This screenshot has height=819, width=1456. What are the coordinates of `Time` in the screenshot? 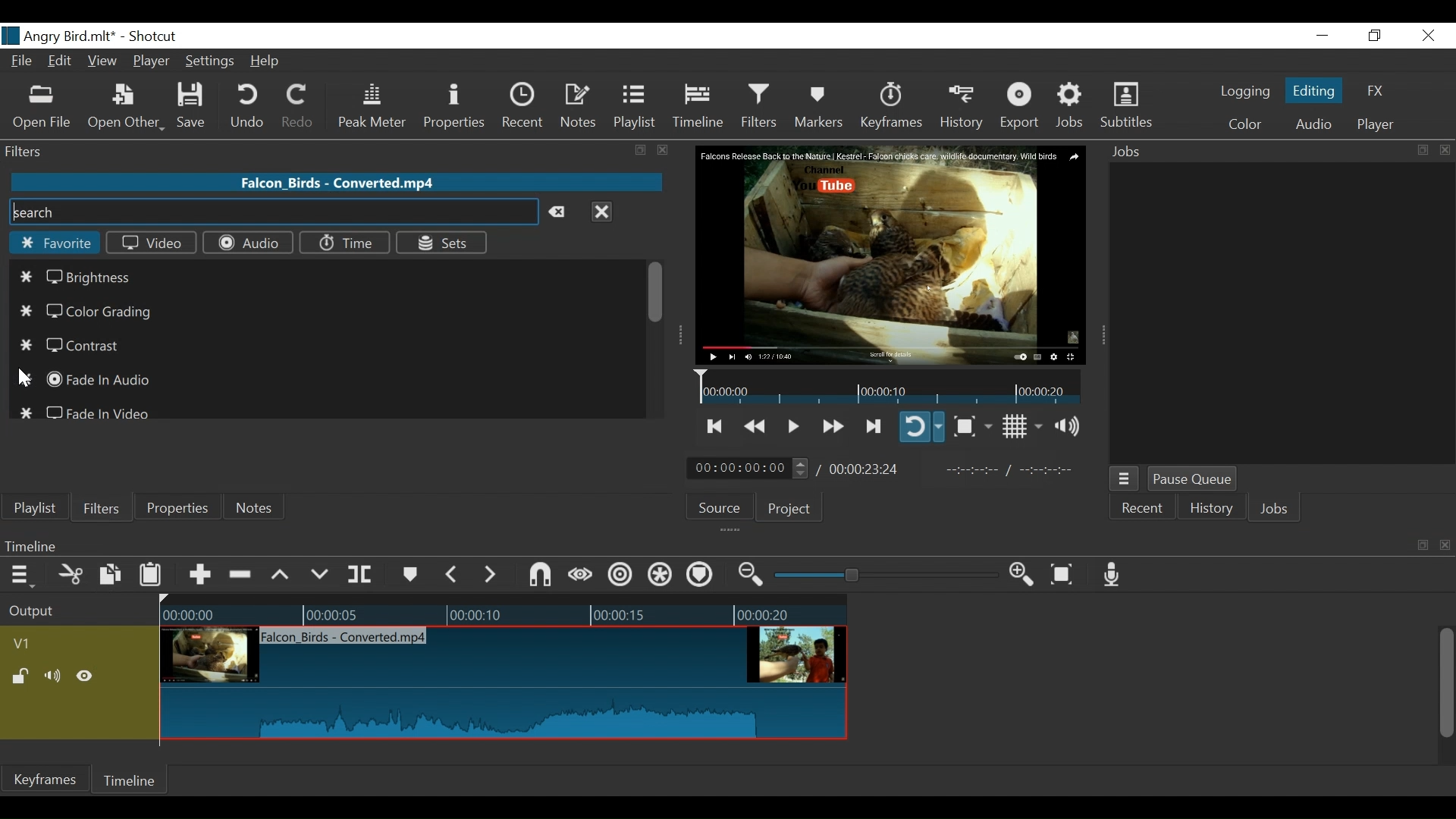 It's located at (344, 243).